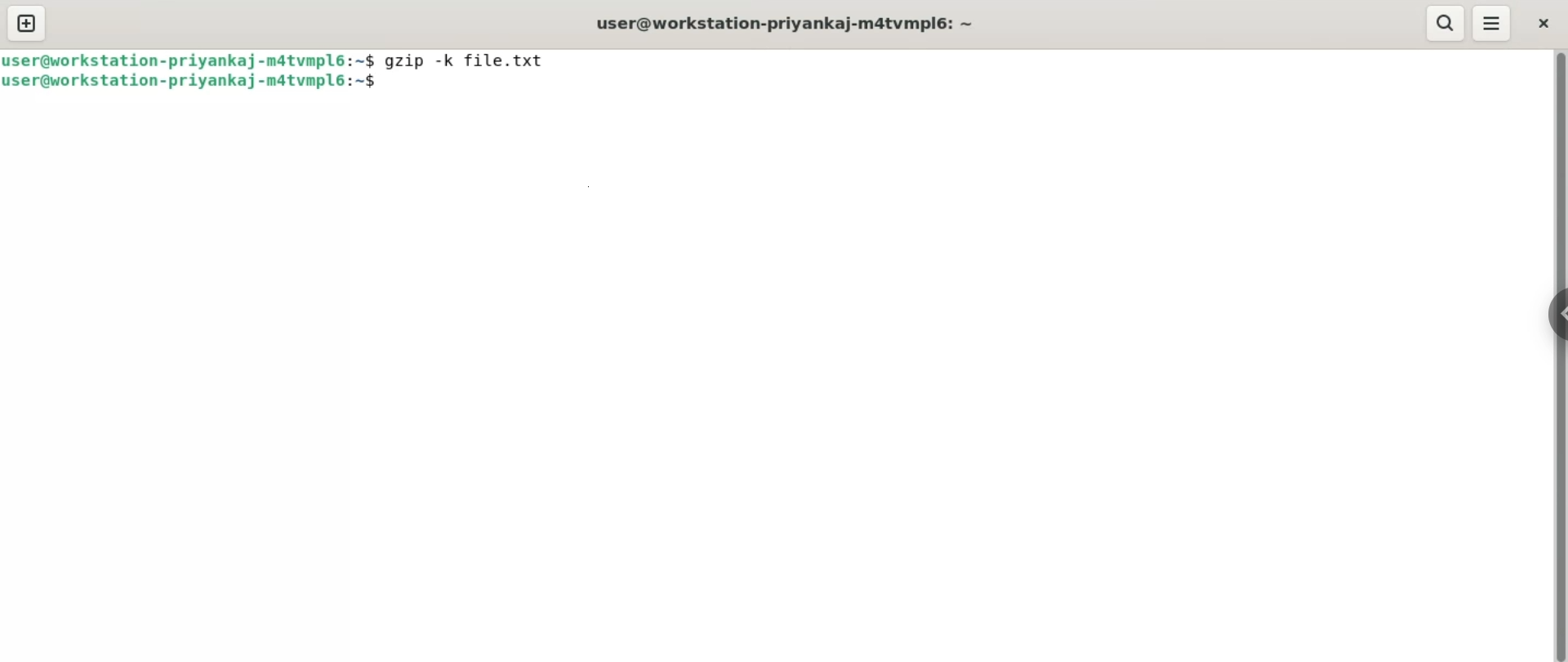  I want to click on command input, so click(959, 89).